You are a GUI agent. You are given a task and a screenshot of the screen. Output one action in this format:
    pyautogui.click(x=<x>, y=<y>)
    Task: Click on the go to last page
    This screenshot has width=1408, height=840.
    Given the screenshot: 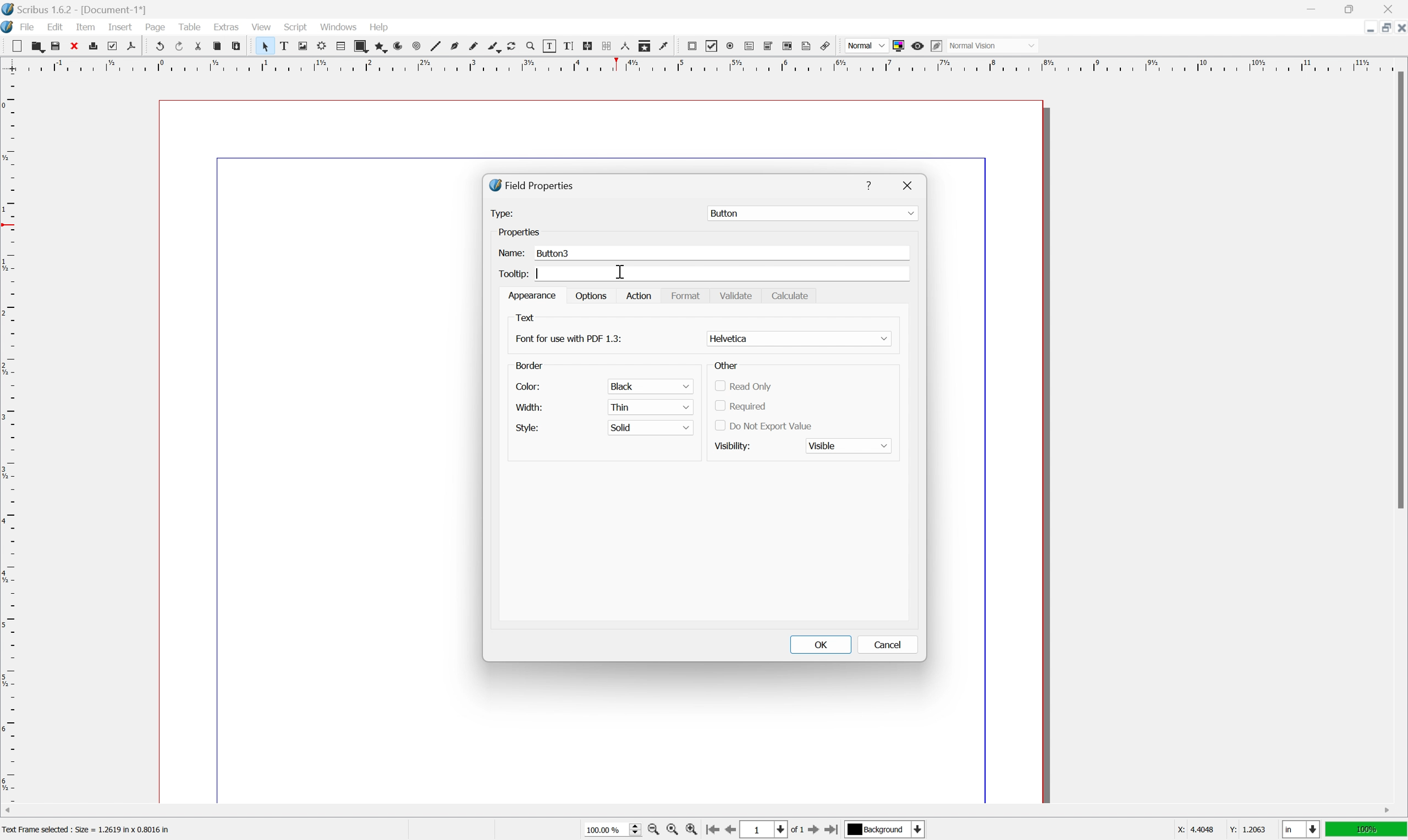 What is the action you would take?
    pyautogui.click(x=832, y=832)
    